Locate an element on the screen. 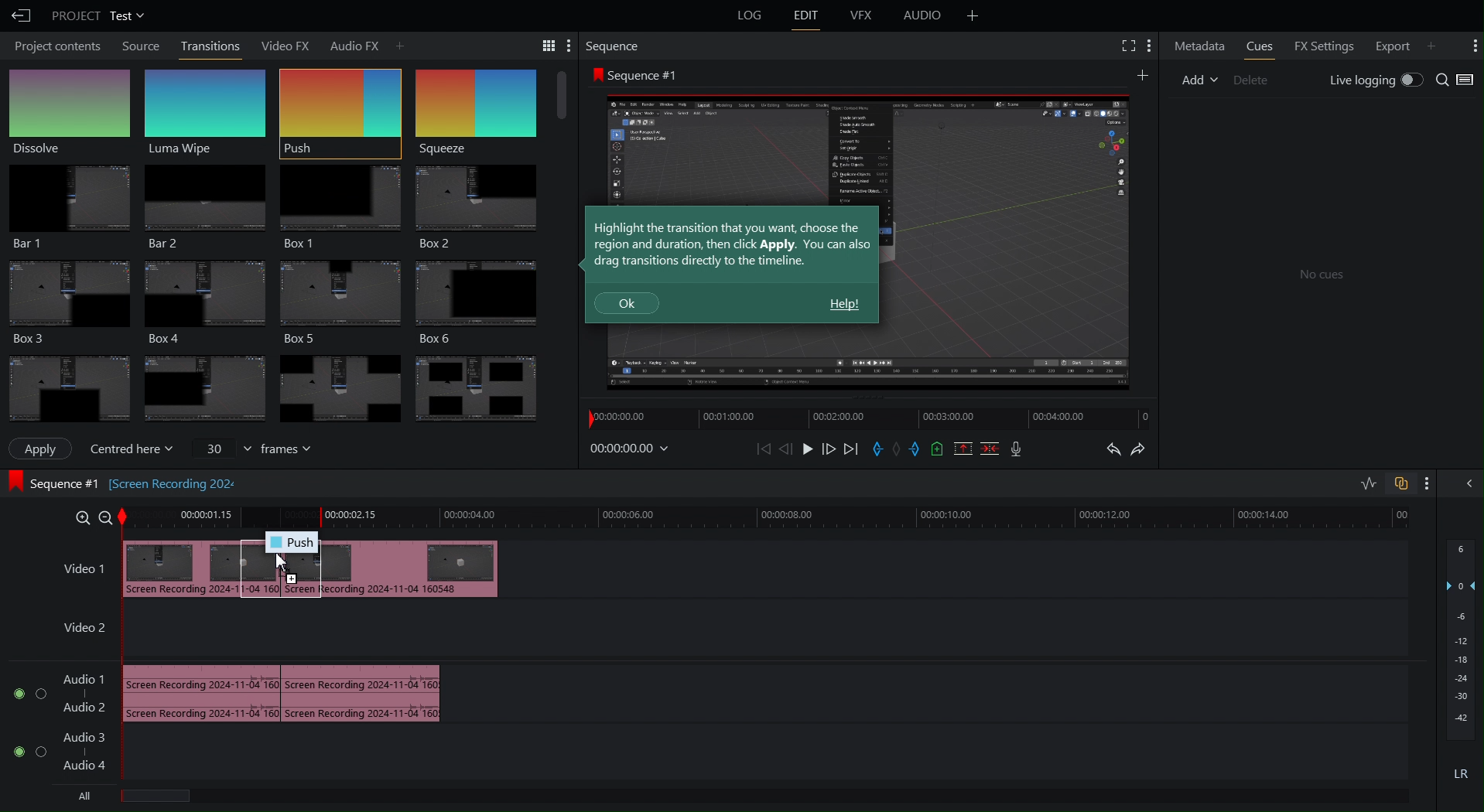  Squeeze is located at coordinates (473, 113).